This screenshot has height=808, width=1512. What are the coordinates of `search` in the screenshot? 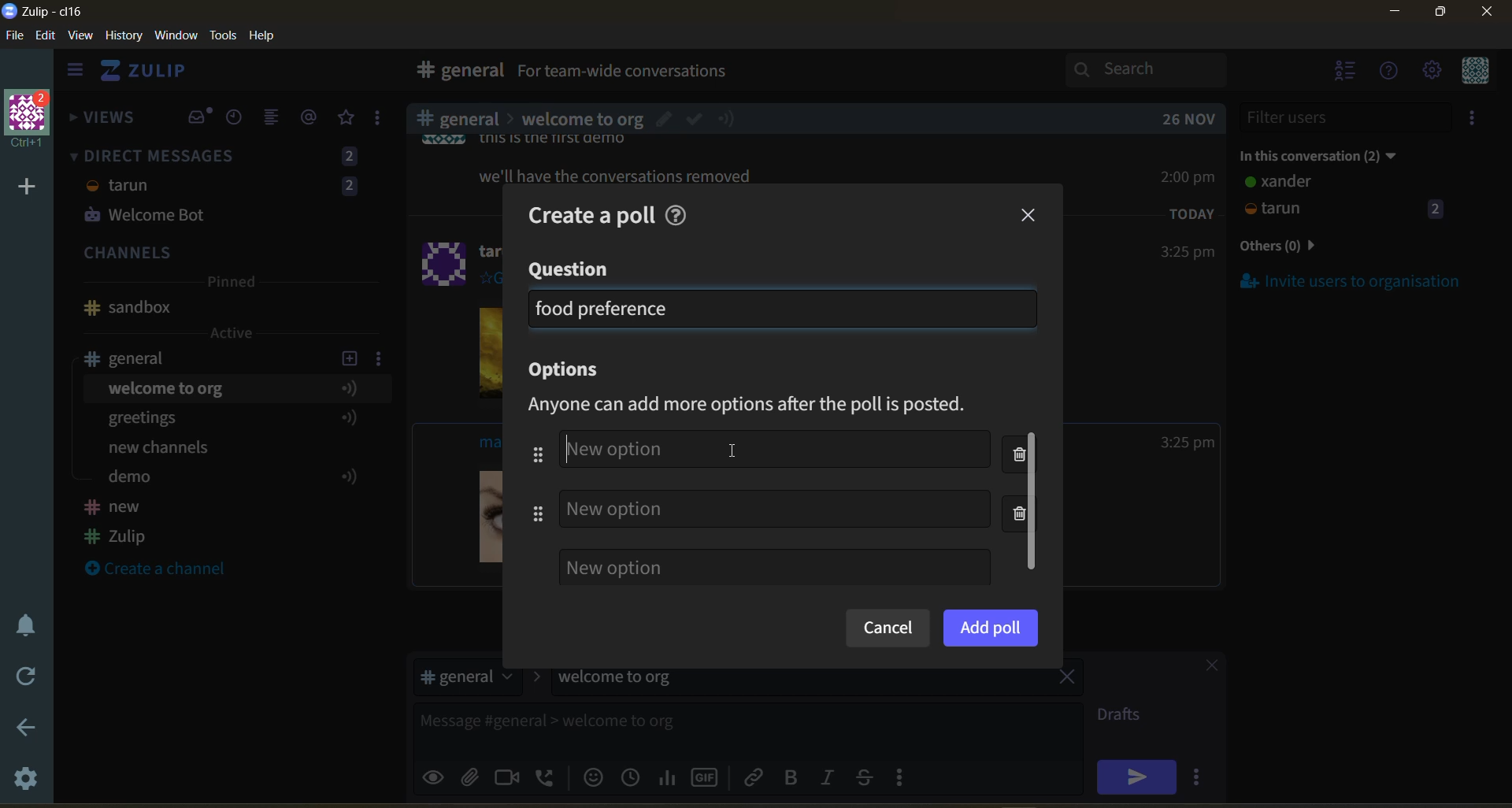 It's located at (1160, 69).